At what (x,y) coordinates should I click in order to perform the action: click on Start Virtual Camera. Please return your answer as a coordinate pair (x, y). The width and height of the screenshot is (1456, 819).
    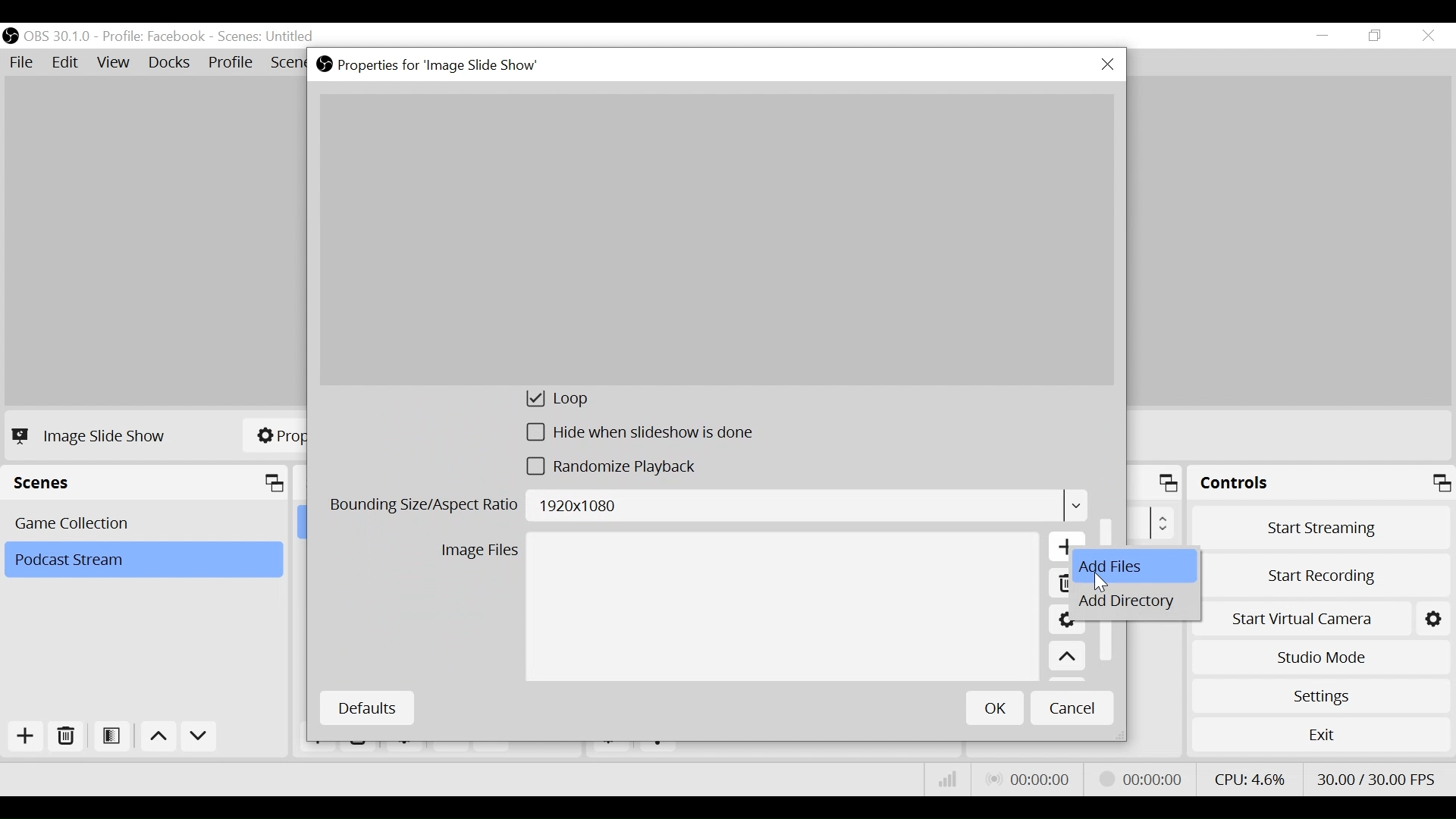
    Looking at the image, I should click on (1328, 616).